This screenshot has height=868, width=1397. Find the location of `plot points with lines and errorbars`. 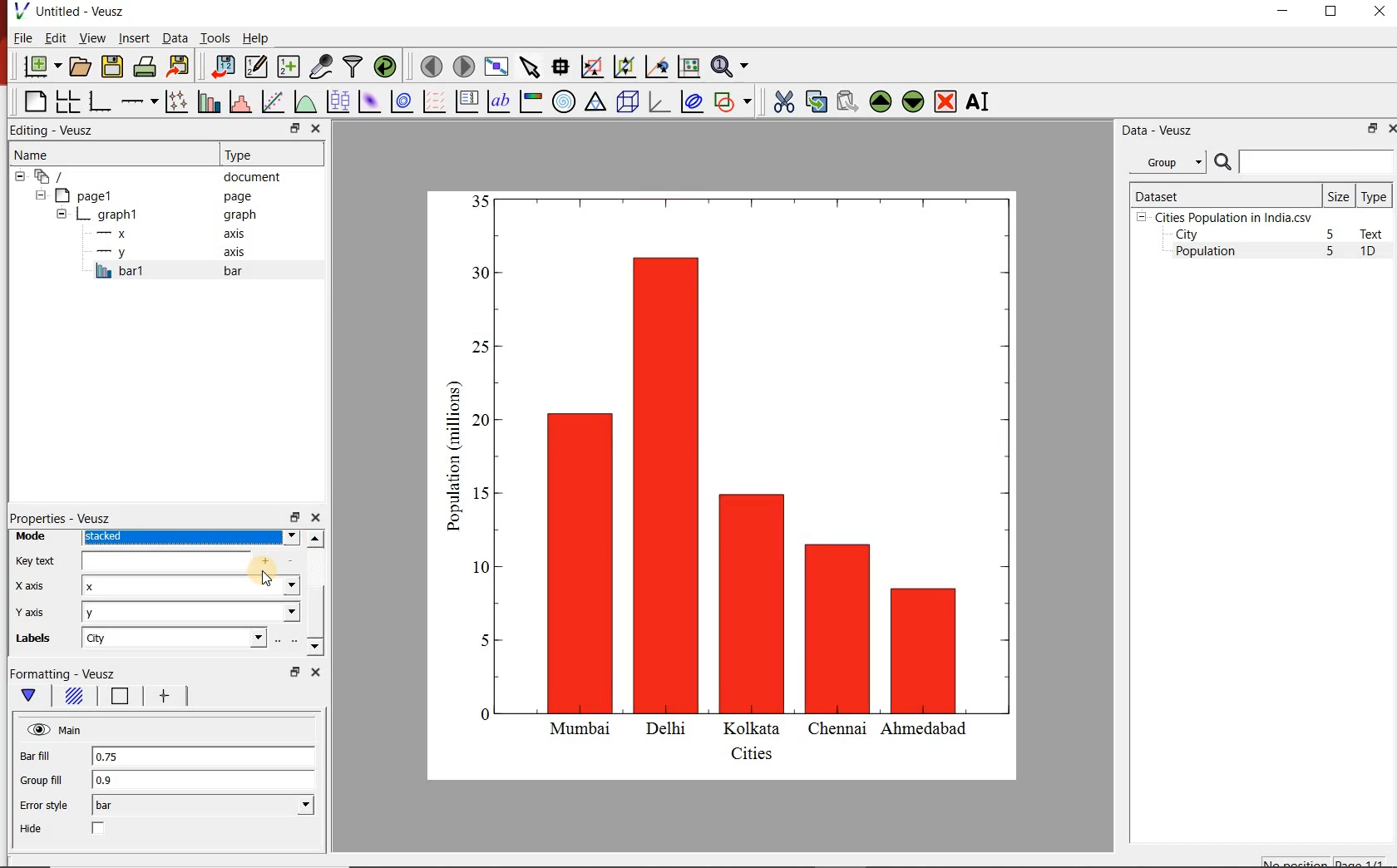

plot points with lines and errorbars is located at coordinates (174, 101).